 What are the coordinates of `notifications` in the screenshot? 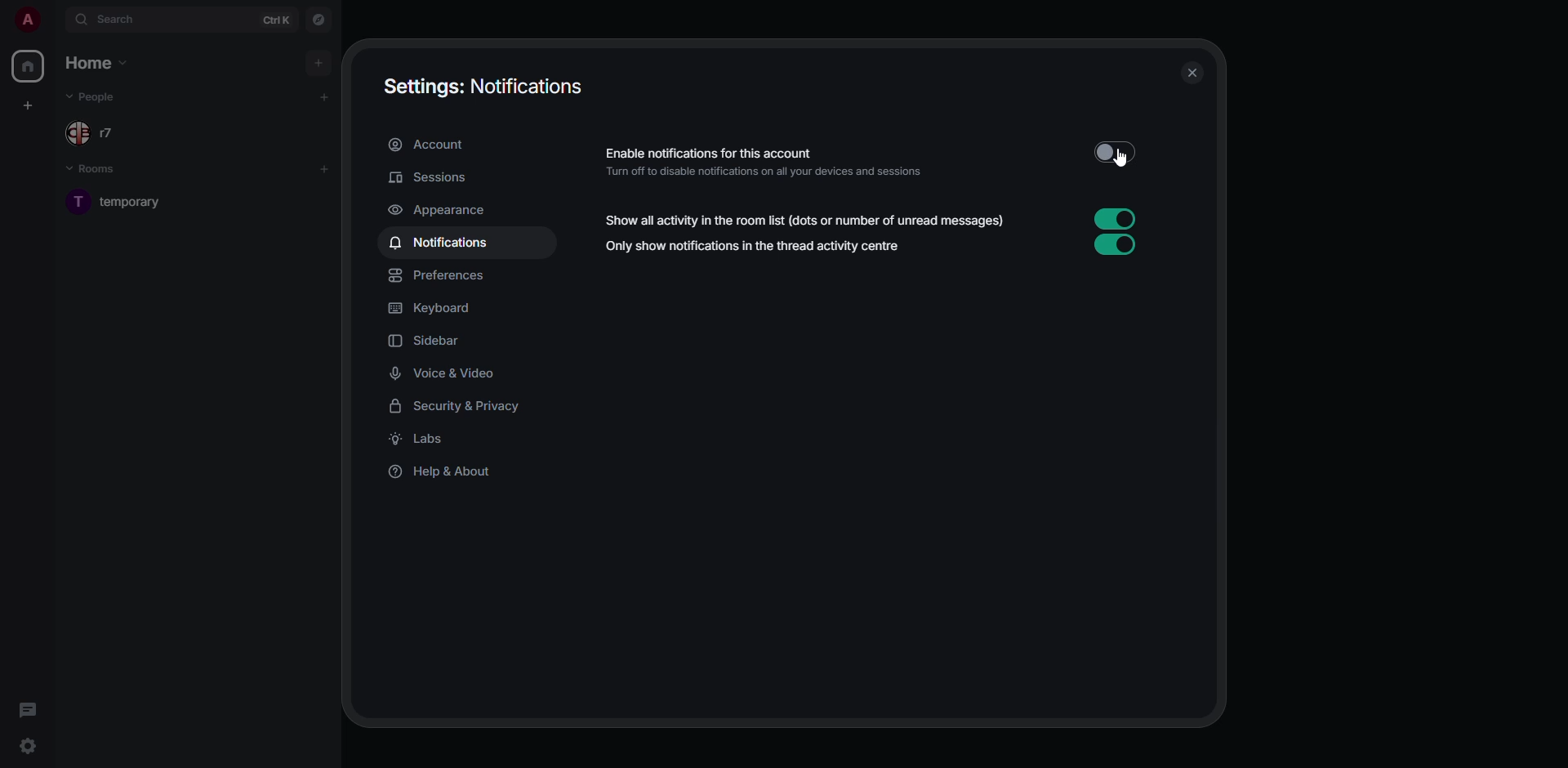 It's located at (443, 243).